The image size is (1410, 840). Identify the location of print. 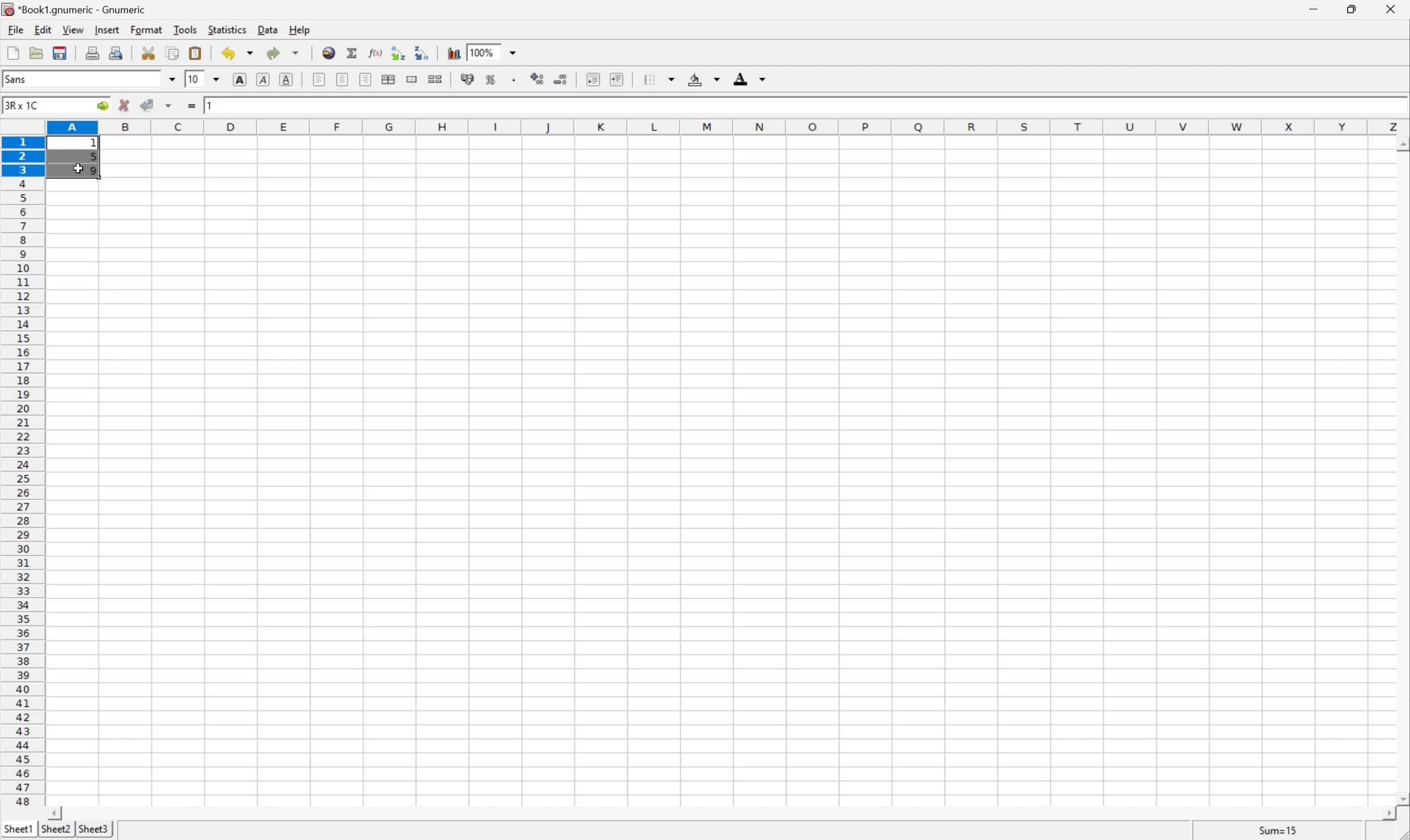
(91, 51).